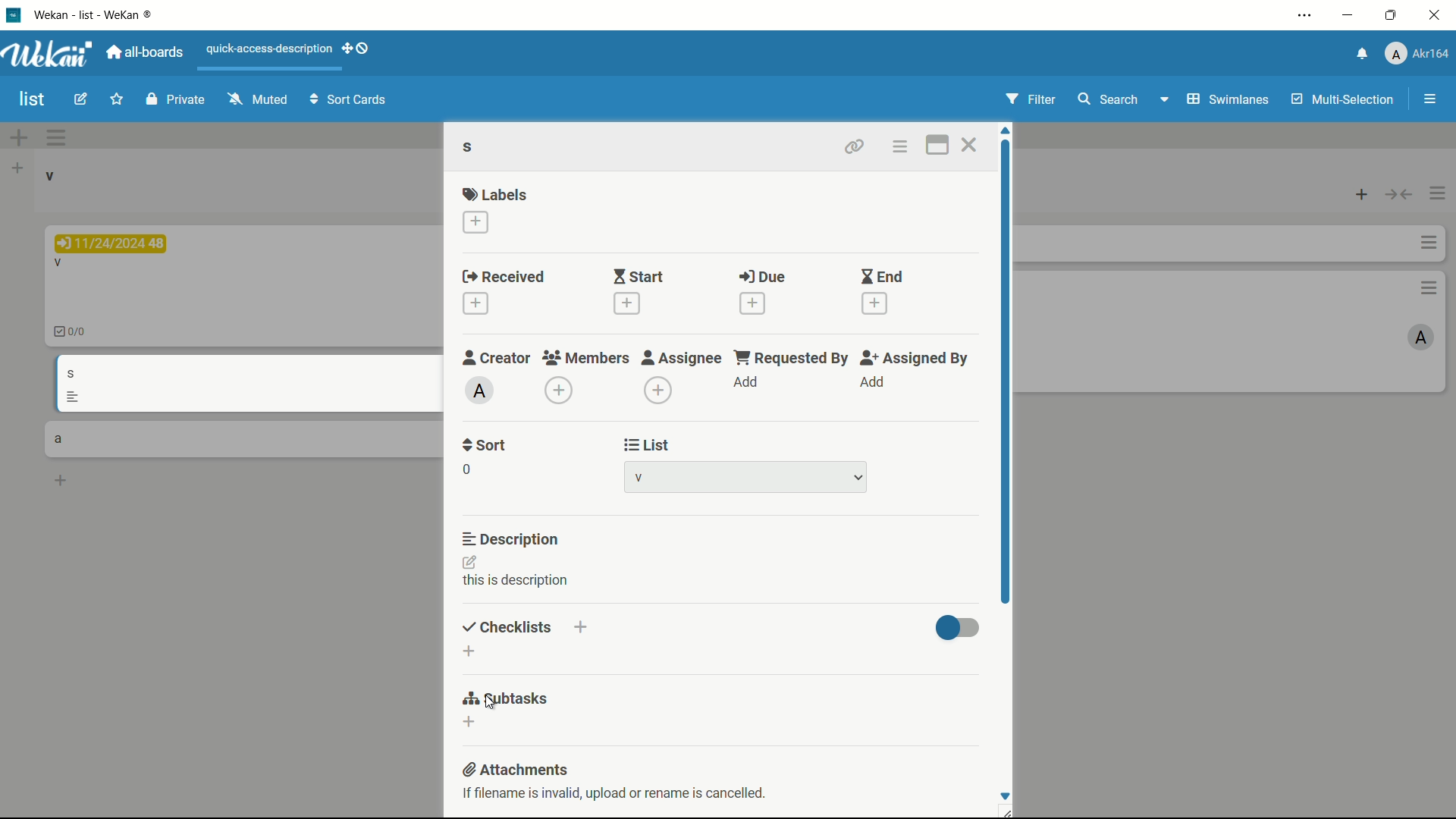 The width and height of the screenshot is (1456, 819). I want to click on add subtasks, so click(470, 722).